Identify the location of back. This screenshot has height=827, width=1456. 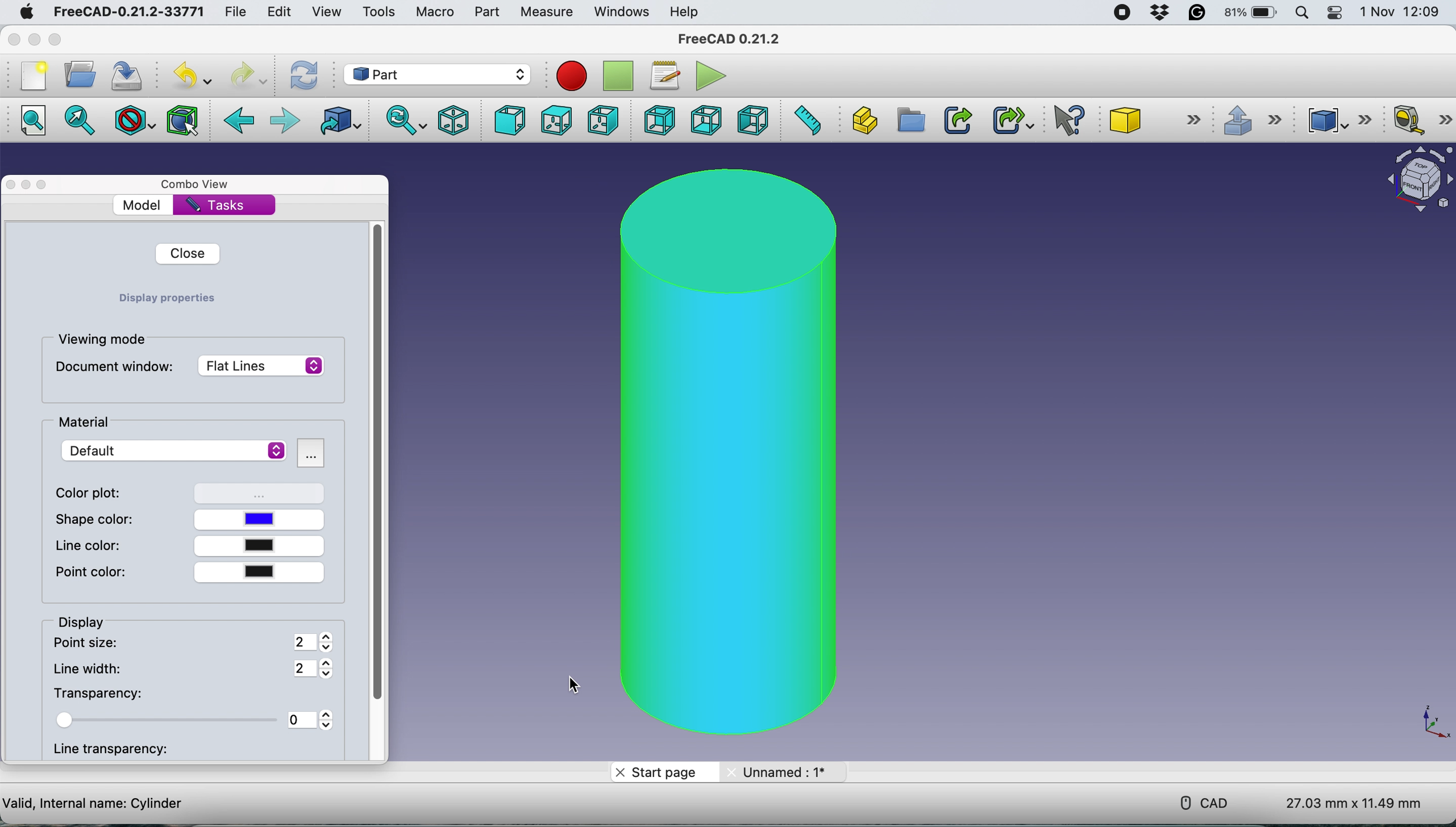
(240, 120).